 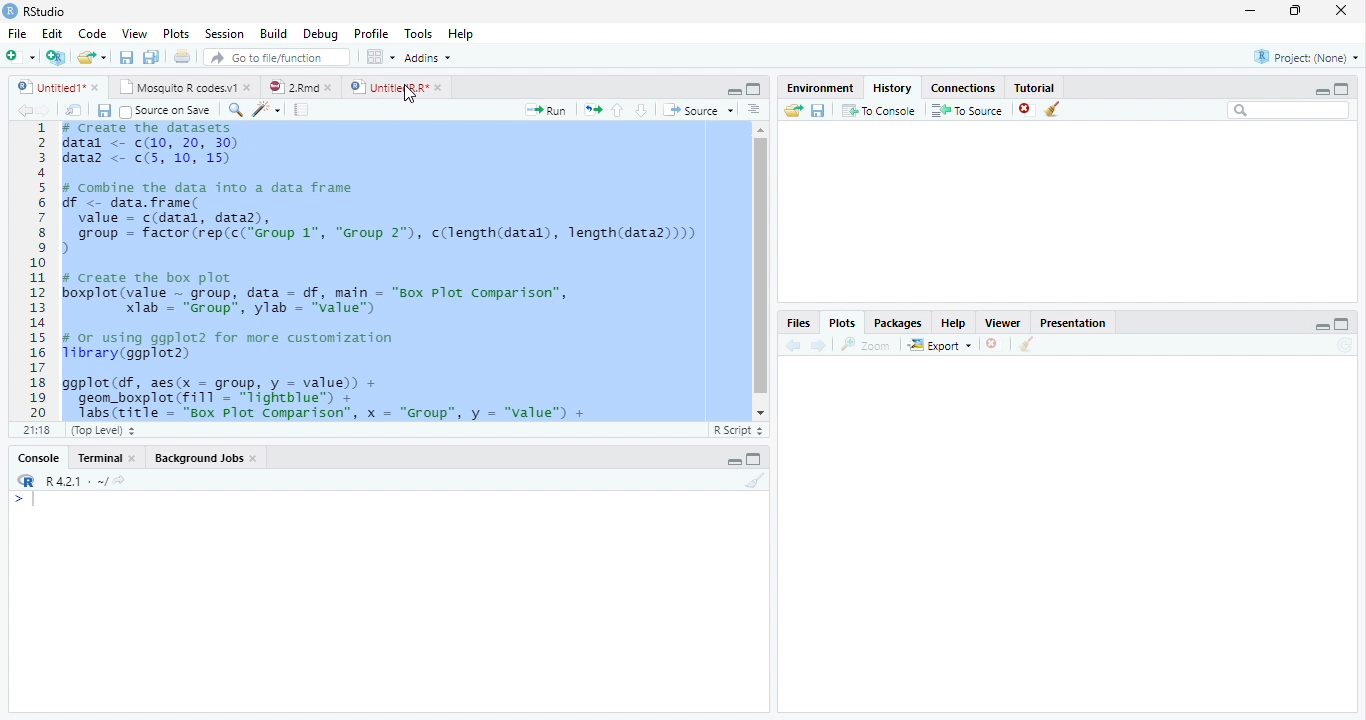 I want to click on close, so click(x=132, y=457).